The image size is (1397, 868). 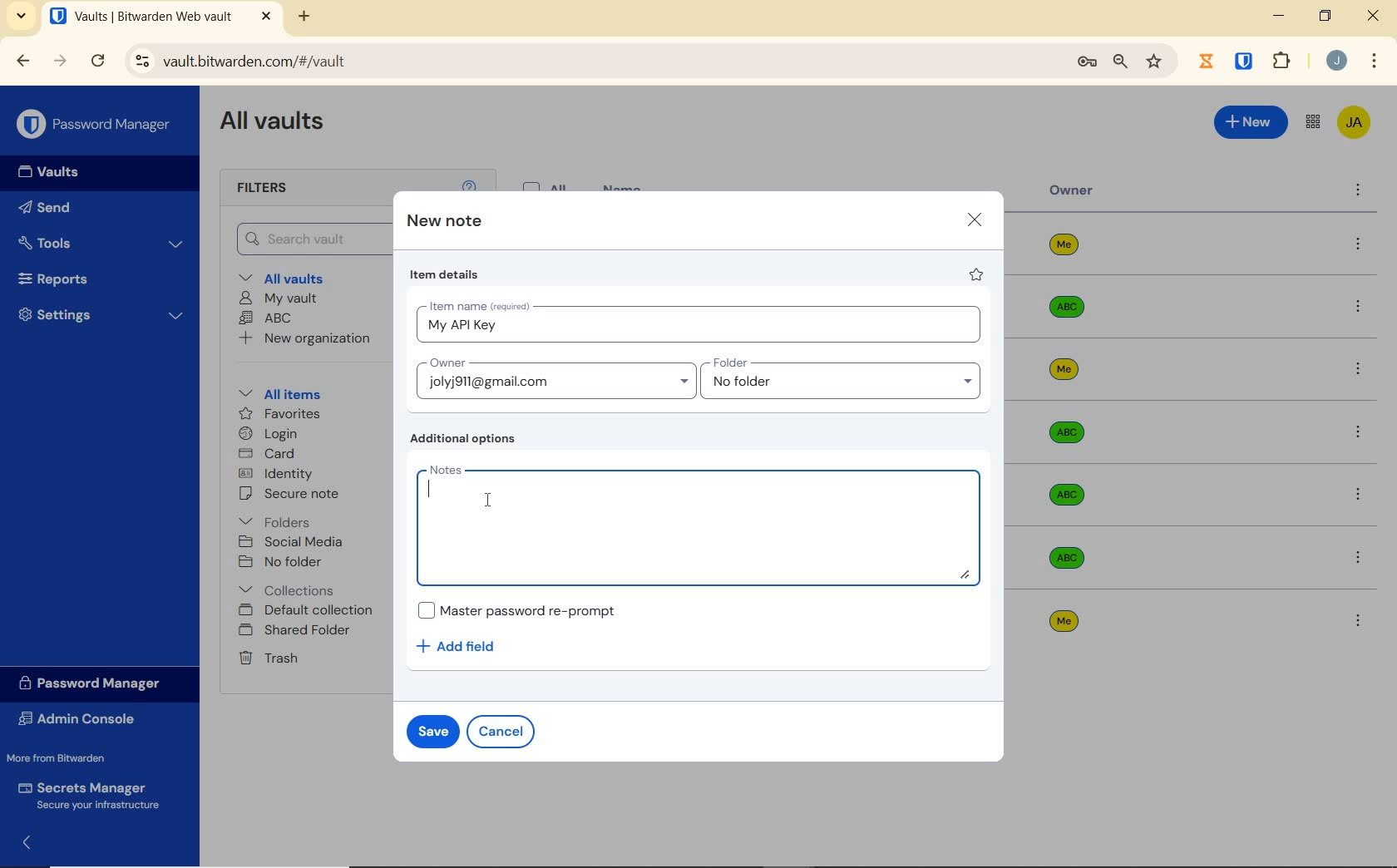 I want to click on Trash, so click(x=271, y=659).